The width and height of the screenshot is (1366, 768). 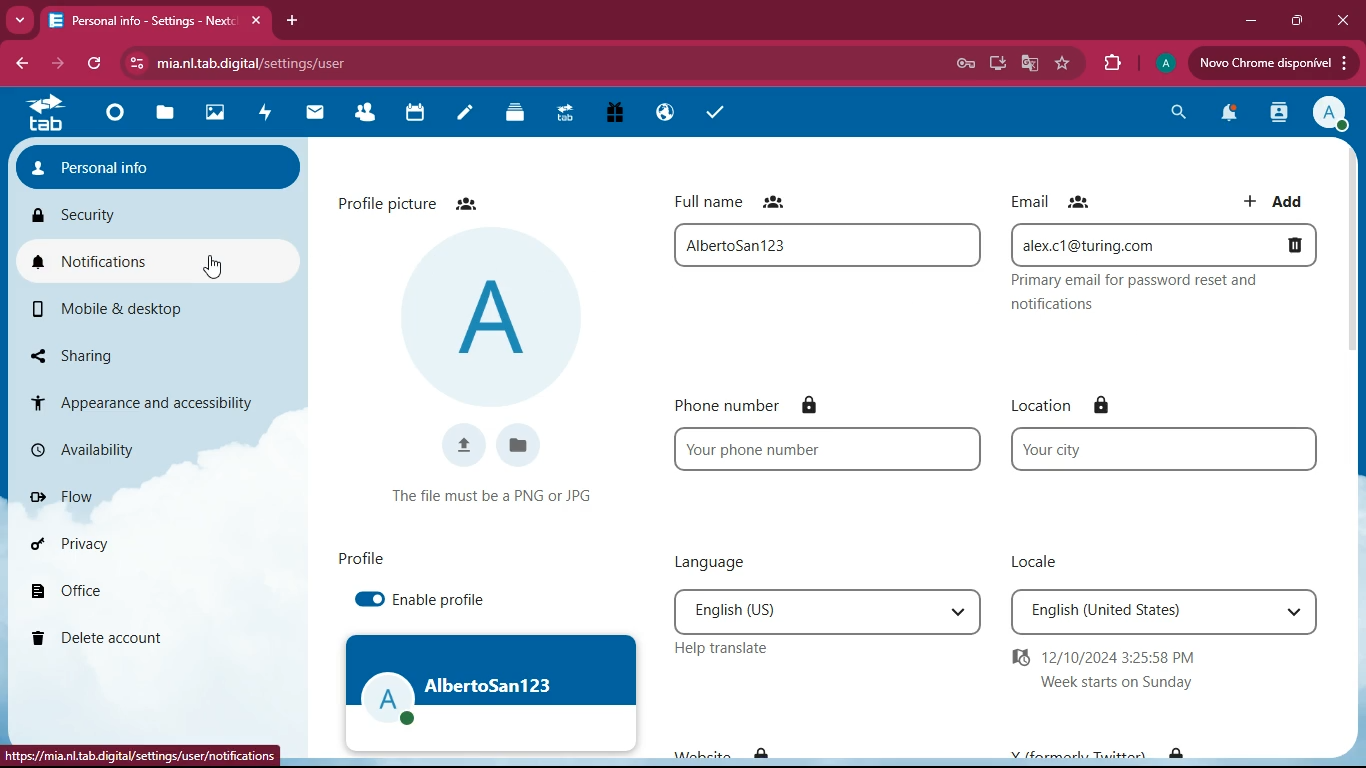 I want to click on close, so click(x=1340, y=20).